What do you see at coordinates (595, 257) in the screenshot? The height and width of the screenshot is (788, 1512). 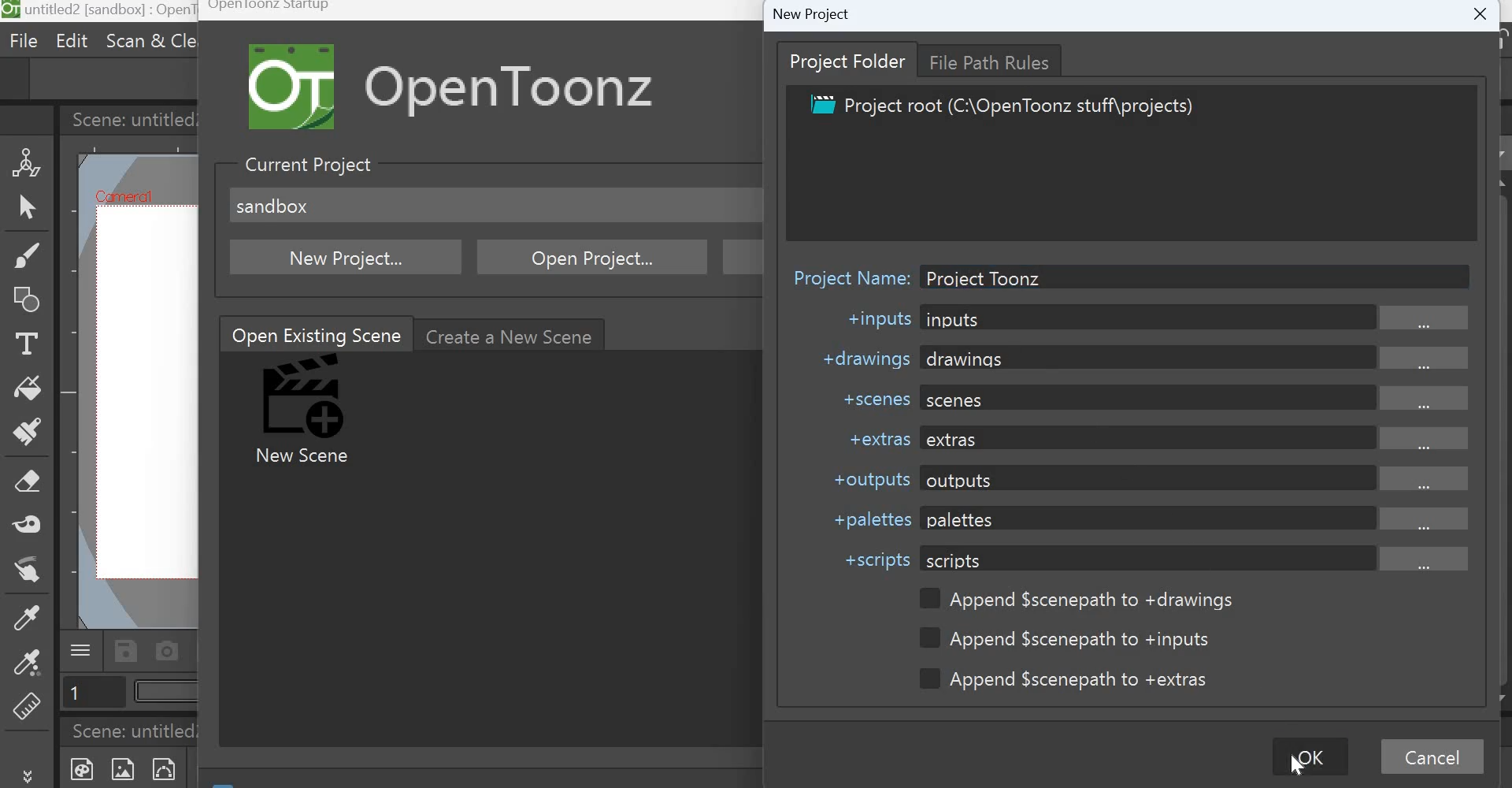 I see `Open Project` at bounding box center [595, 257].